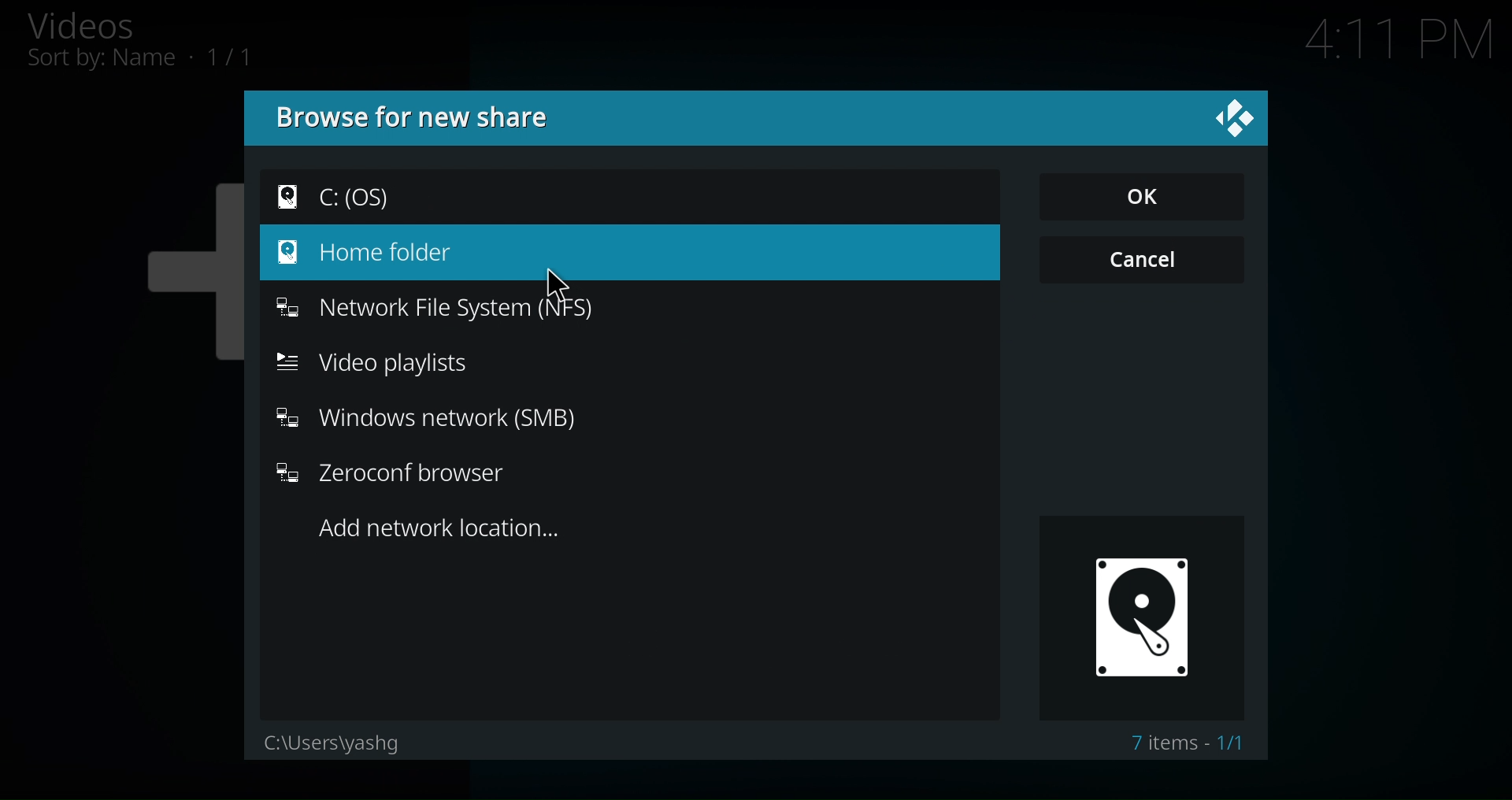 This screenshot has width=1512, height=800. I want to click on C: (OS), so click(339, 194).